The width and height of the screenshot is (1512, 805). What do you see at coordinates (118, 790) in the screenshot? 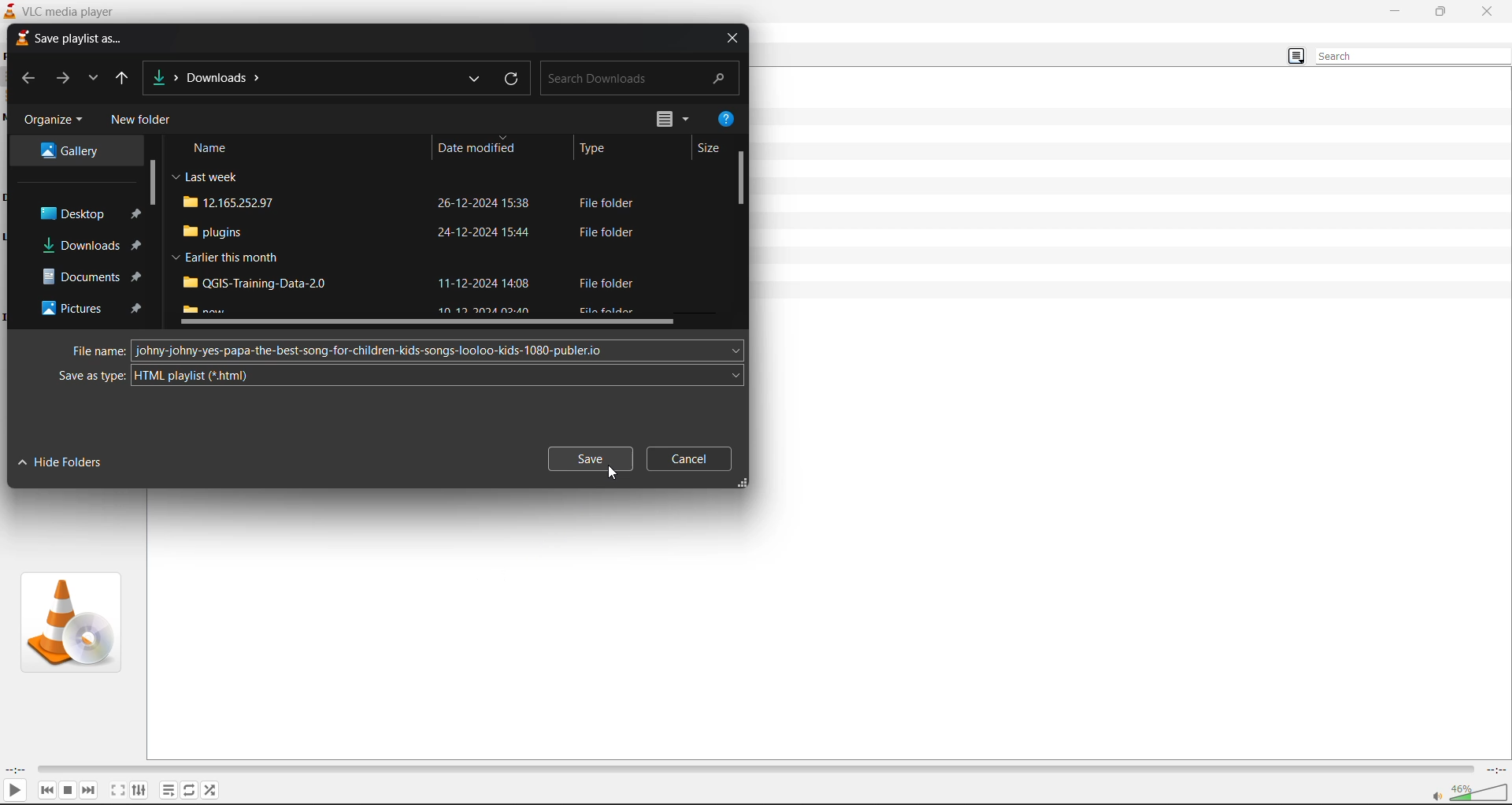
I see `fullscreen` at bounding box center [118, 790].